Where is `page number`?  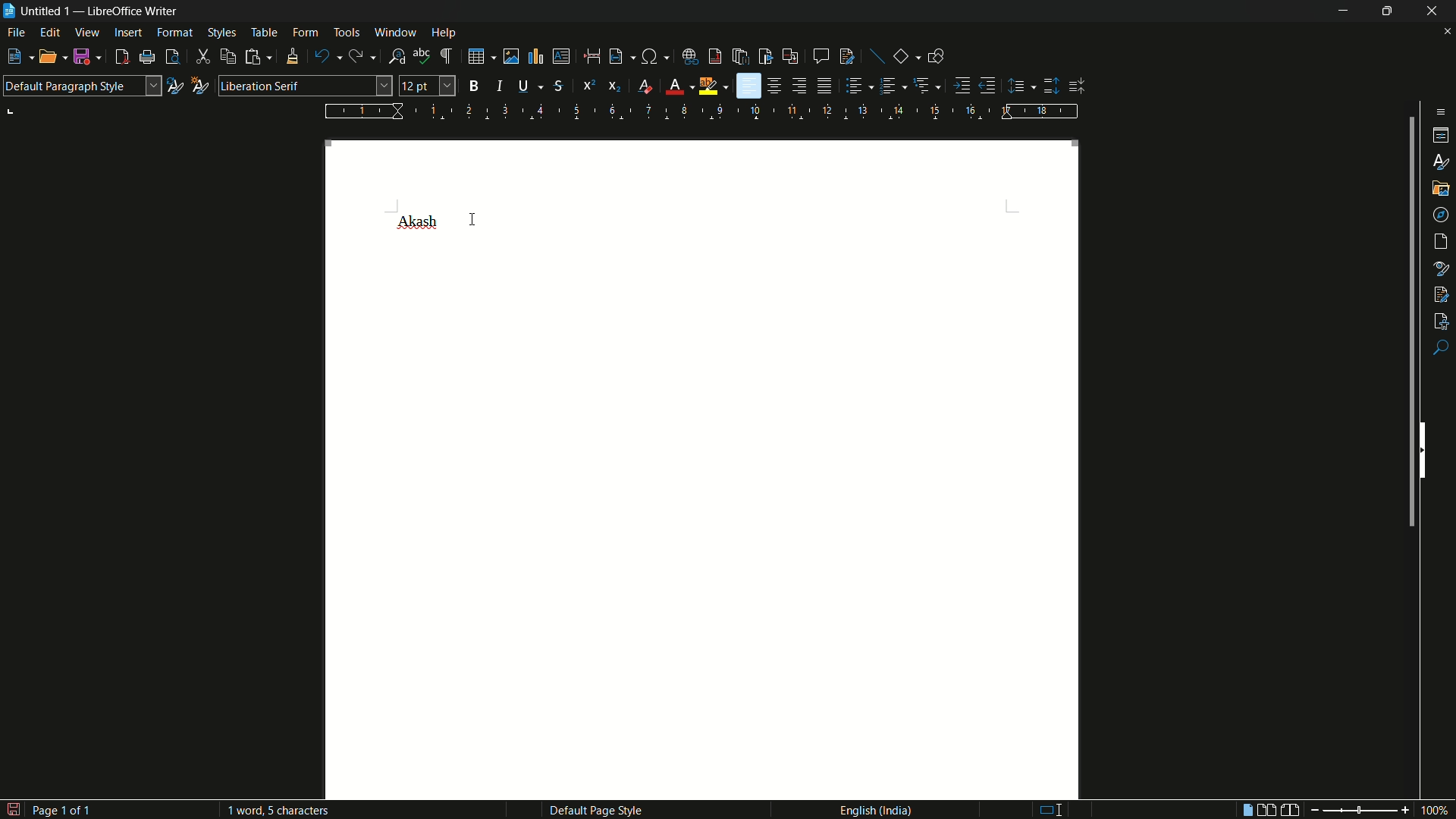
page number is located at coordinates (52, 807).